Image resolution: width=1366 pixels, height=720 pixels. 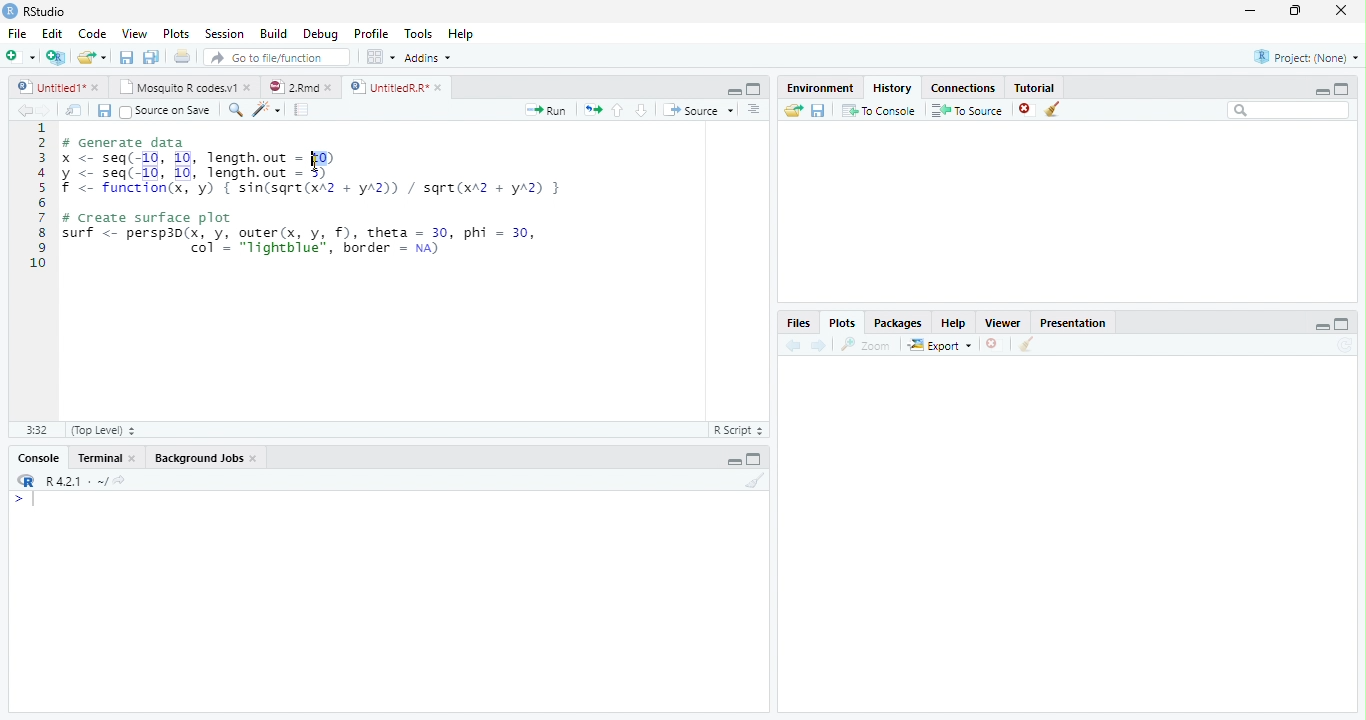 I want to click on close, so click(x=248, y=87).